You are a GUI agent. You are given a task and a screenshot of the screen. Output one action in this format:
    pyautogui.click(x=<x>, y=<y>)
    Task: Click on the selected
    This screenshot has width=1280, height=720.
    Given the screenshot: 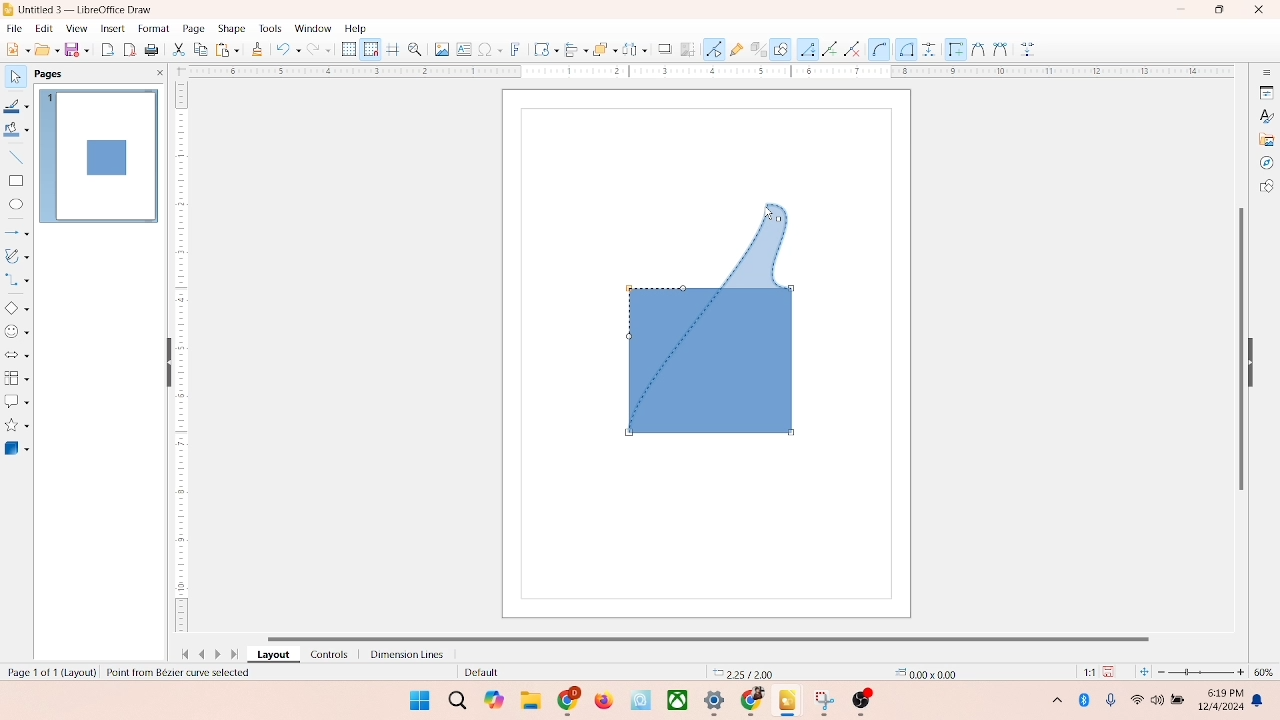 What is the action you would take?
    pyautogui.click(x=189, y=673)
    